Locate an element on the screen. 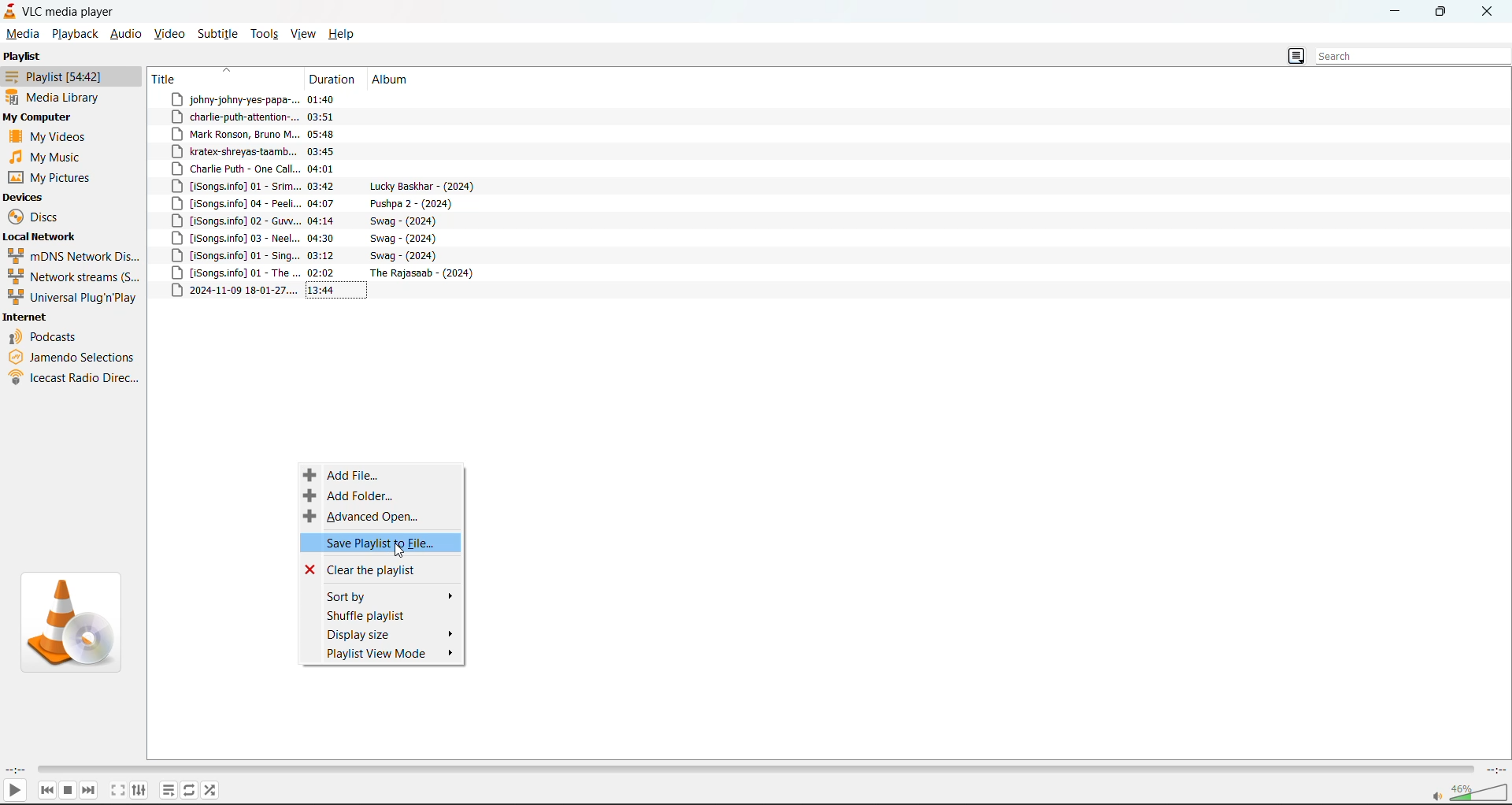  next is located at coordinates (90, 790).